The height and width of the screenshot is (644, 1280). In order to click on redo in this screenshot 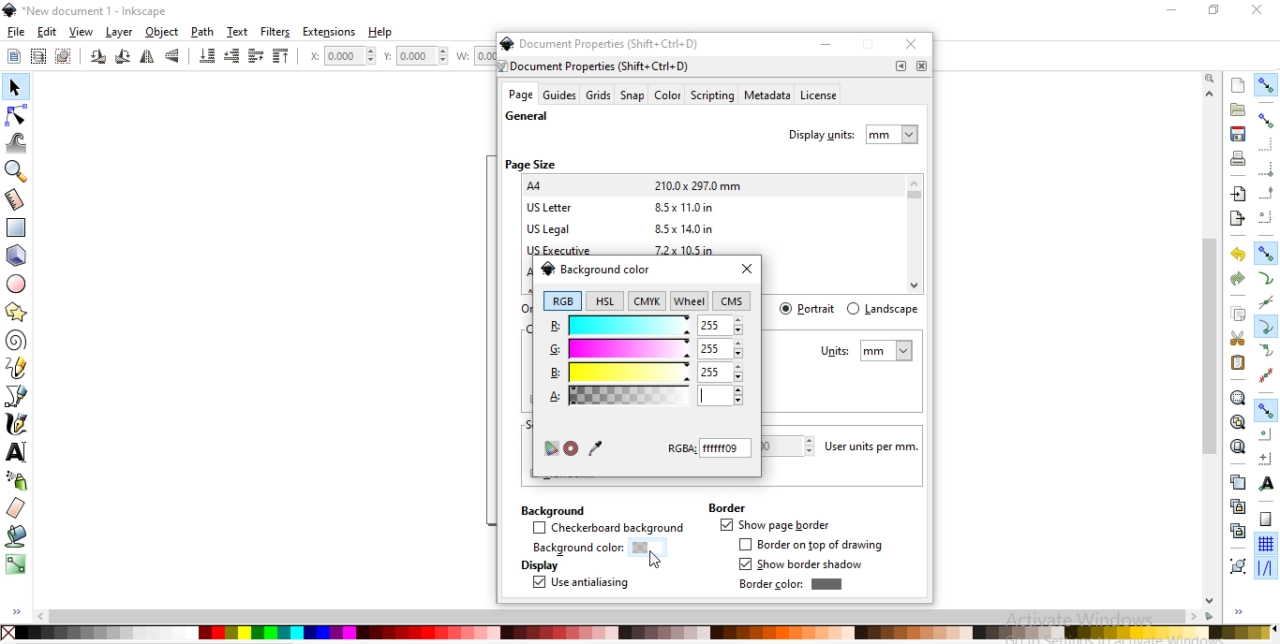, I will do `click(1238, 279)`.